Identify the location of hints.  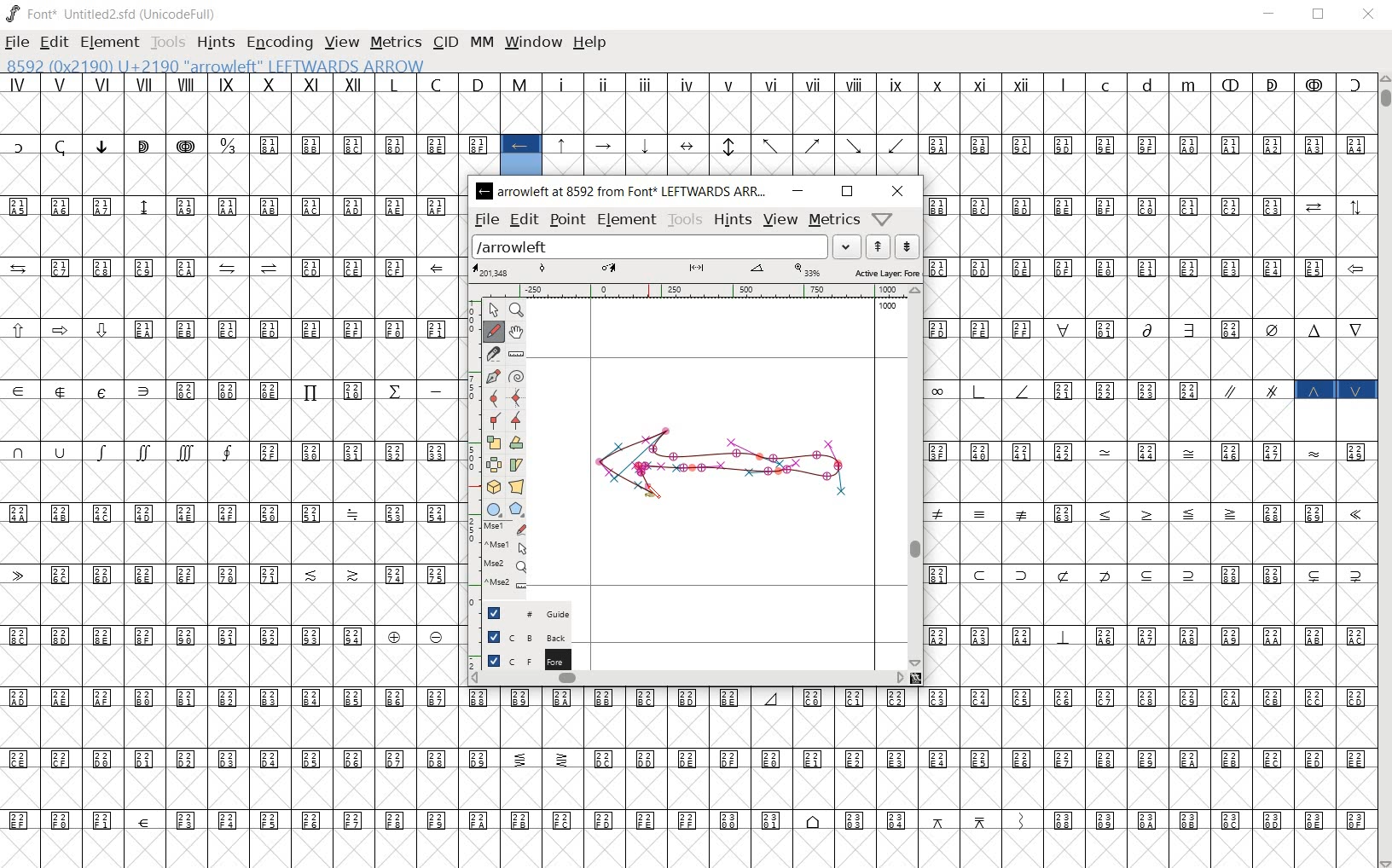
(732, 219).